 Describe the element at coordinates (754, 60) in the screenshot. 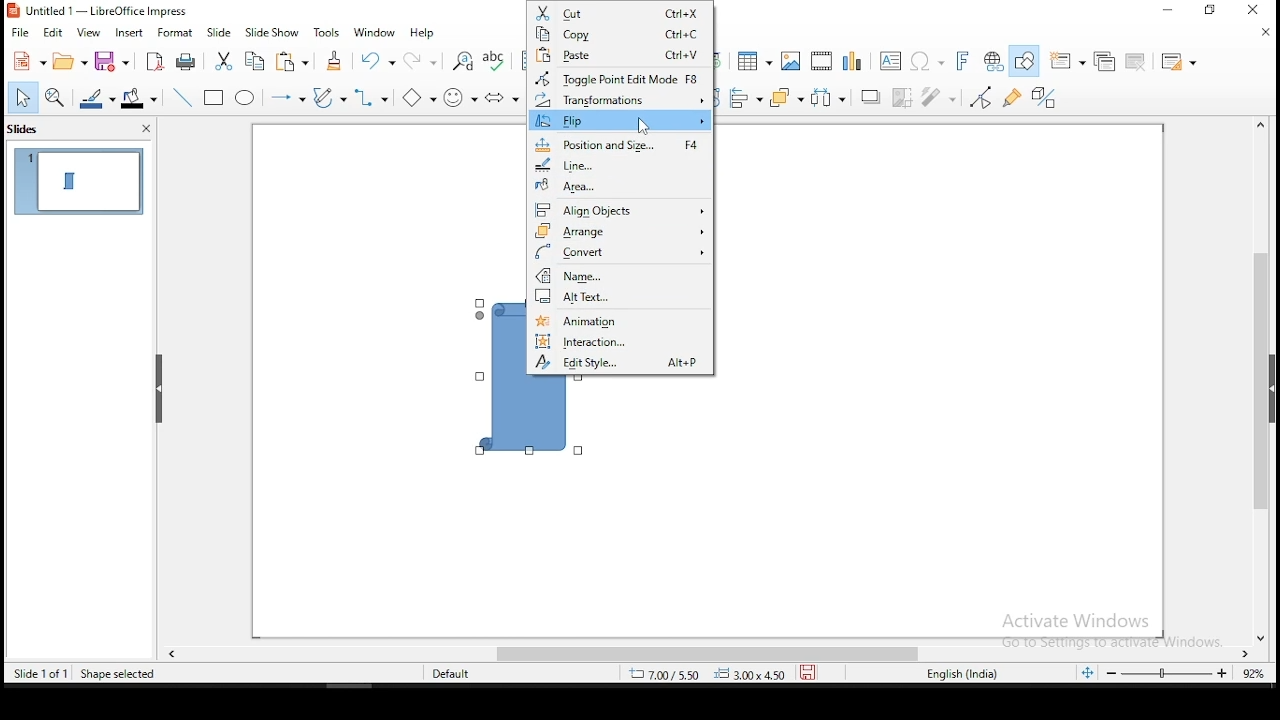

I see `table` at that location.